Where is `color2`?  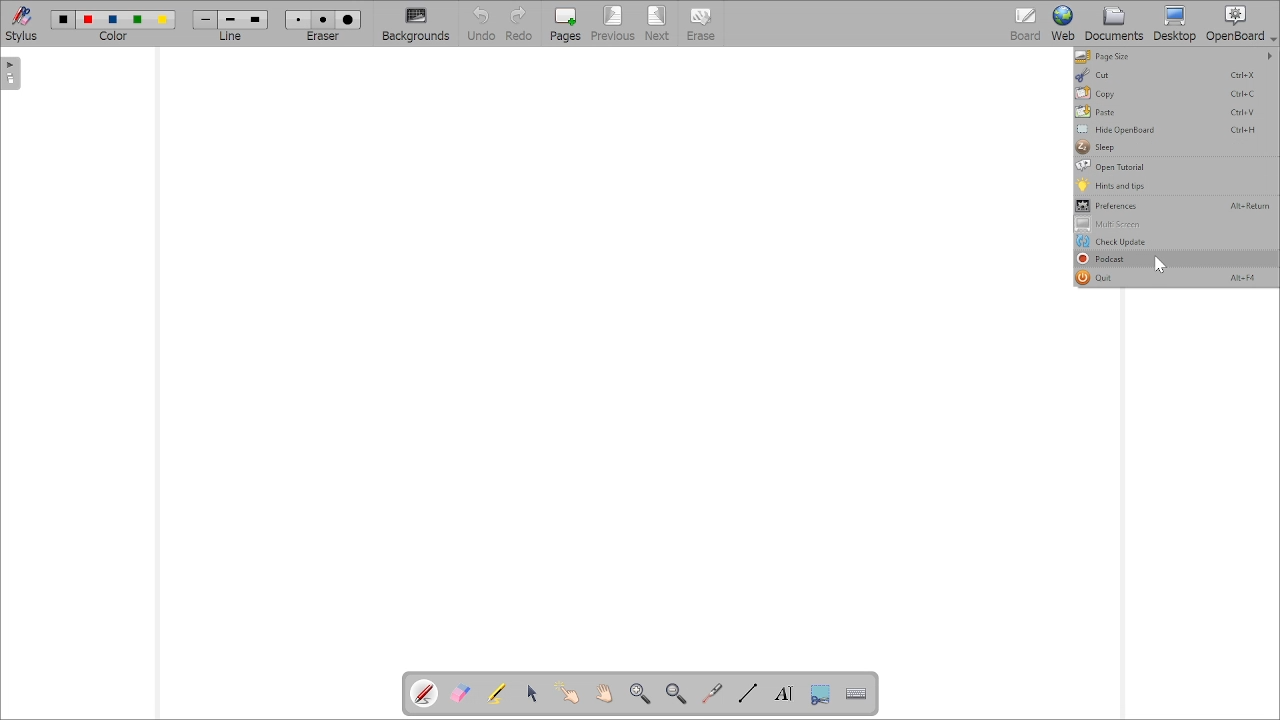
color2 is located at coordinates (88, 19).